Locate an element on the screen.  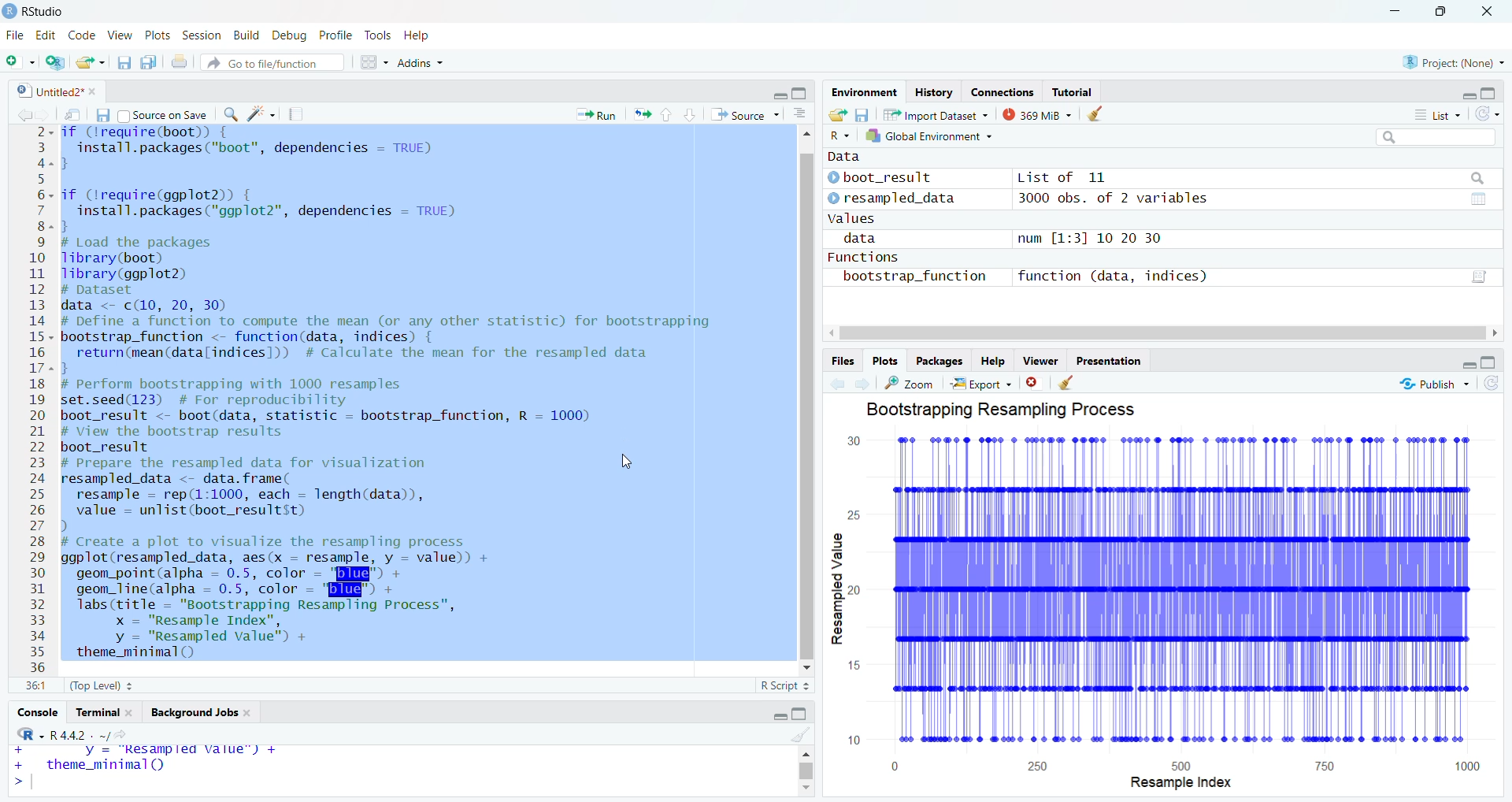
horizontal scroll bar is located at coordinates (1160, 336).